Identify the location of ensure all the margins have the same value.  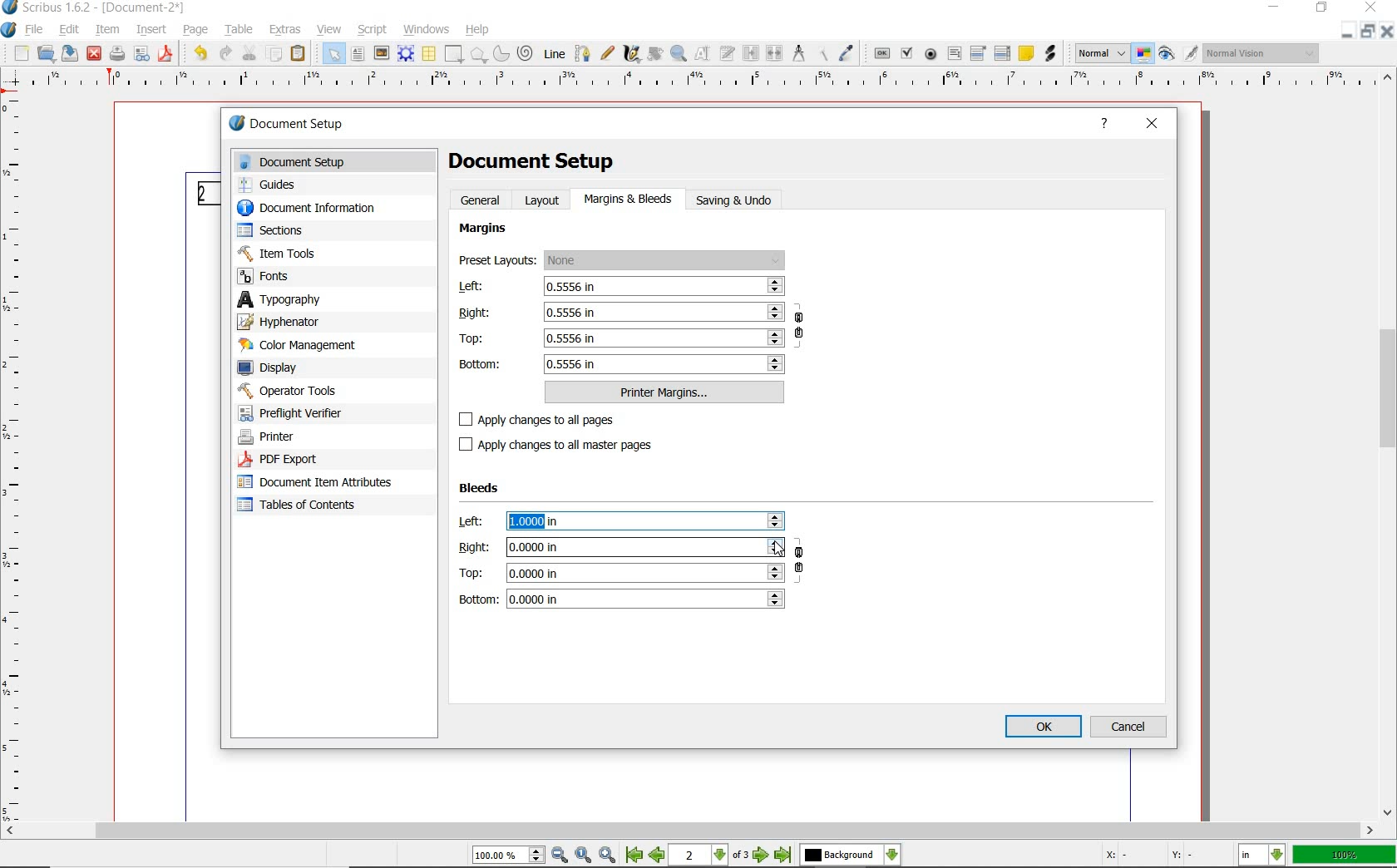
(800, 328).